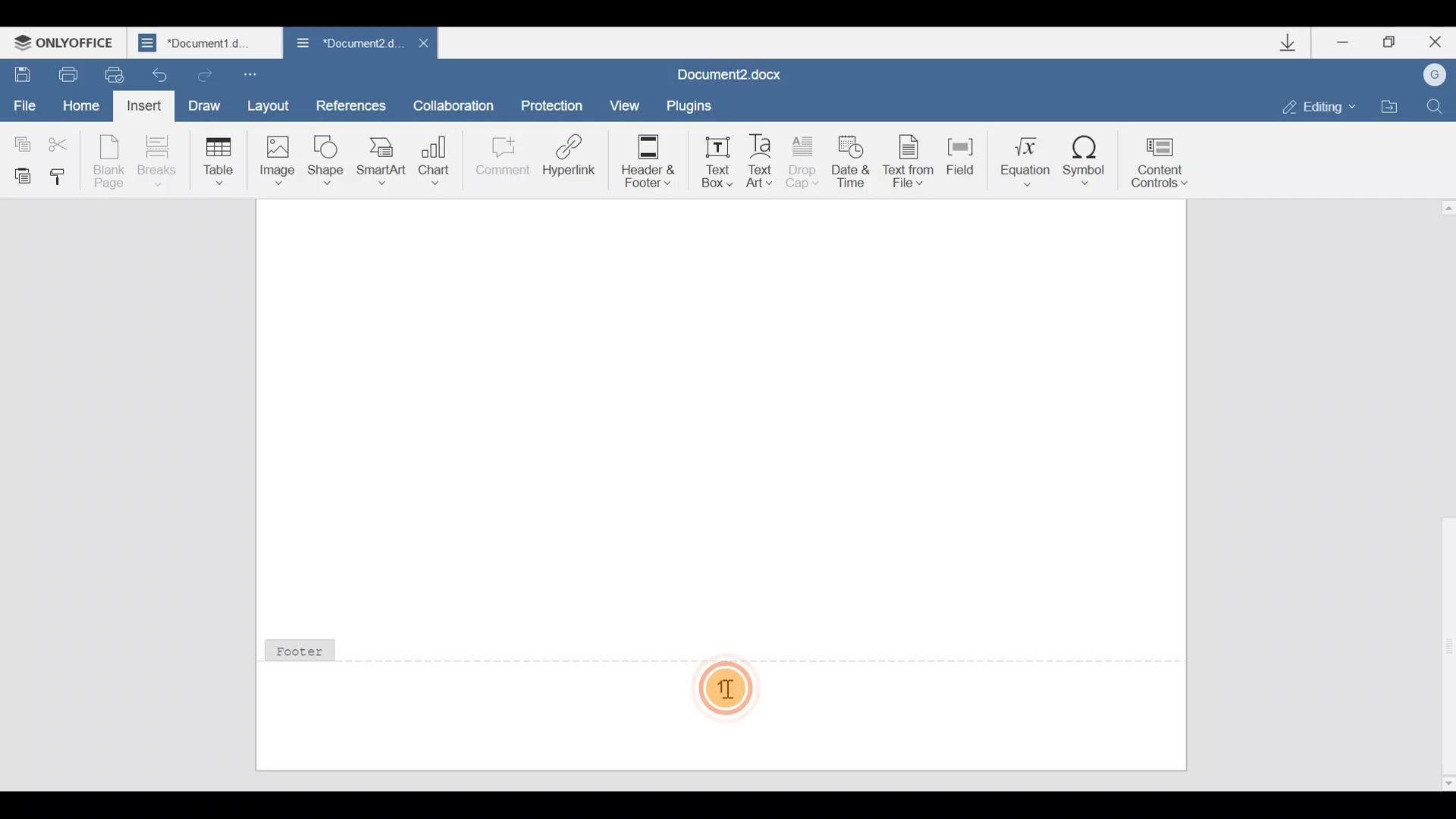 Image resolution: width=1456 pixels, height=819 pixels. Describe the element at coordinates (68, 39) in the screenshot. I see `ONLYOFFICE` at that location.